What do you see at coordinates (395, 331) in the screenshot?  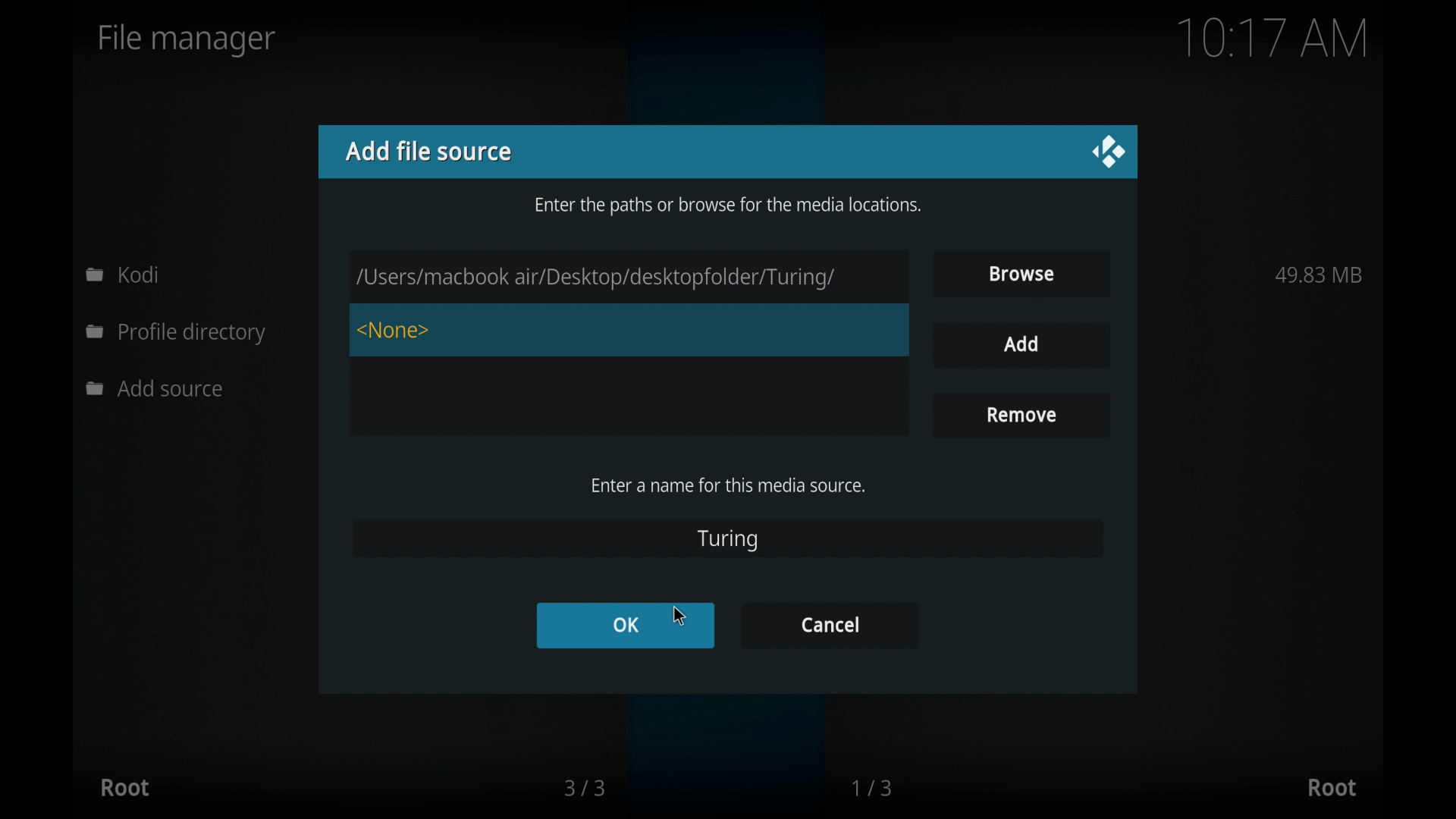 I see `none` at bounding box center [395, 331].